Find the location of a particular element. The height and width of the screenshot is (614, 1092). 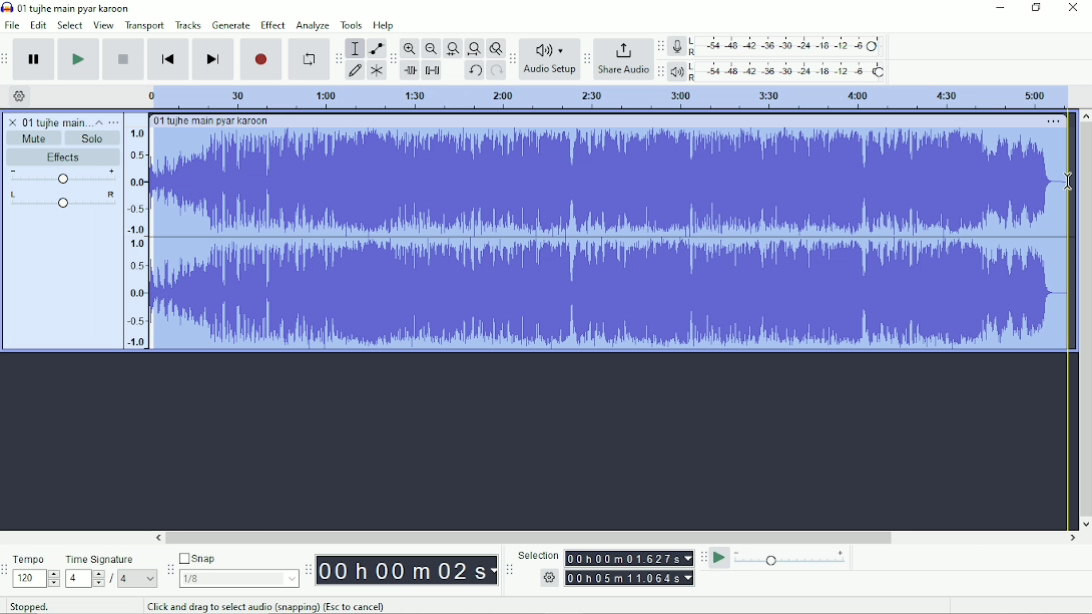

Help is located at coordinates (385, 25).